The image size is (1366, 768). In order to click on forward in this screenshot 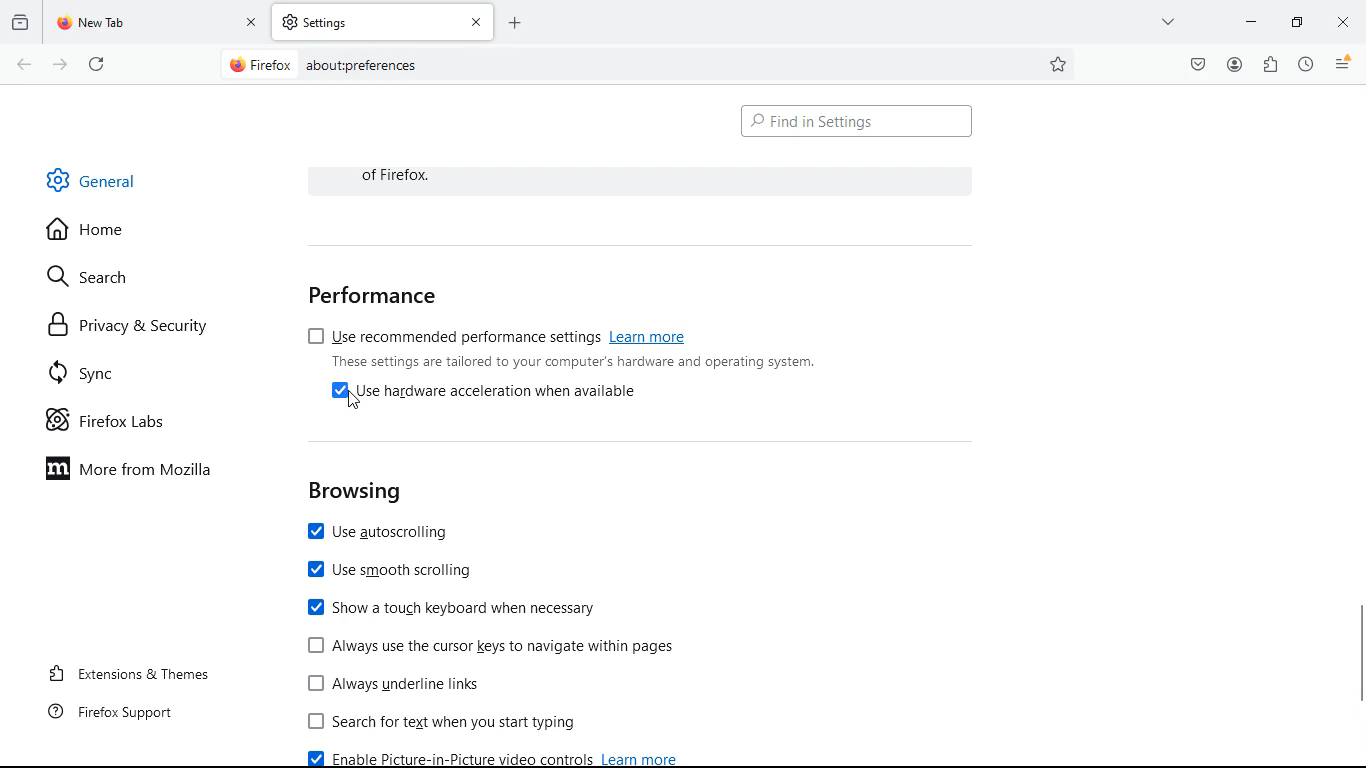, I will do `click(59, 64)`.